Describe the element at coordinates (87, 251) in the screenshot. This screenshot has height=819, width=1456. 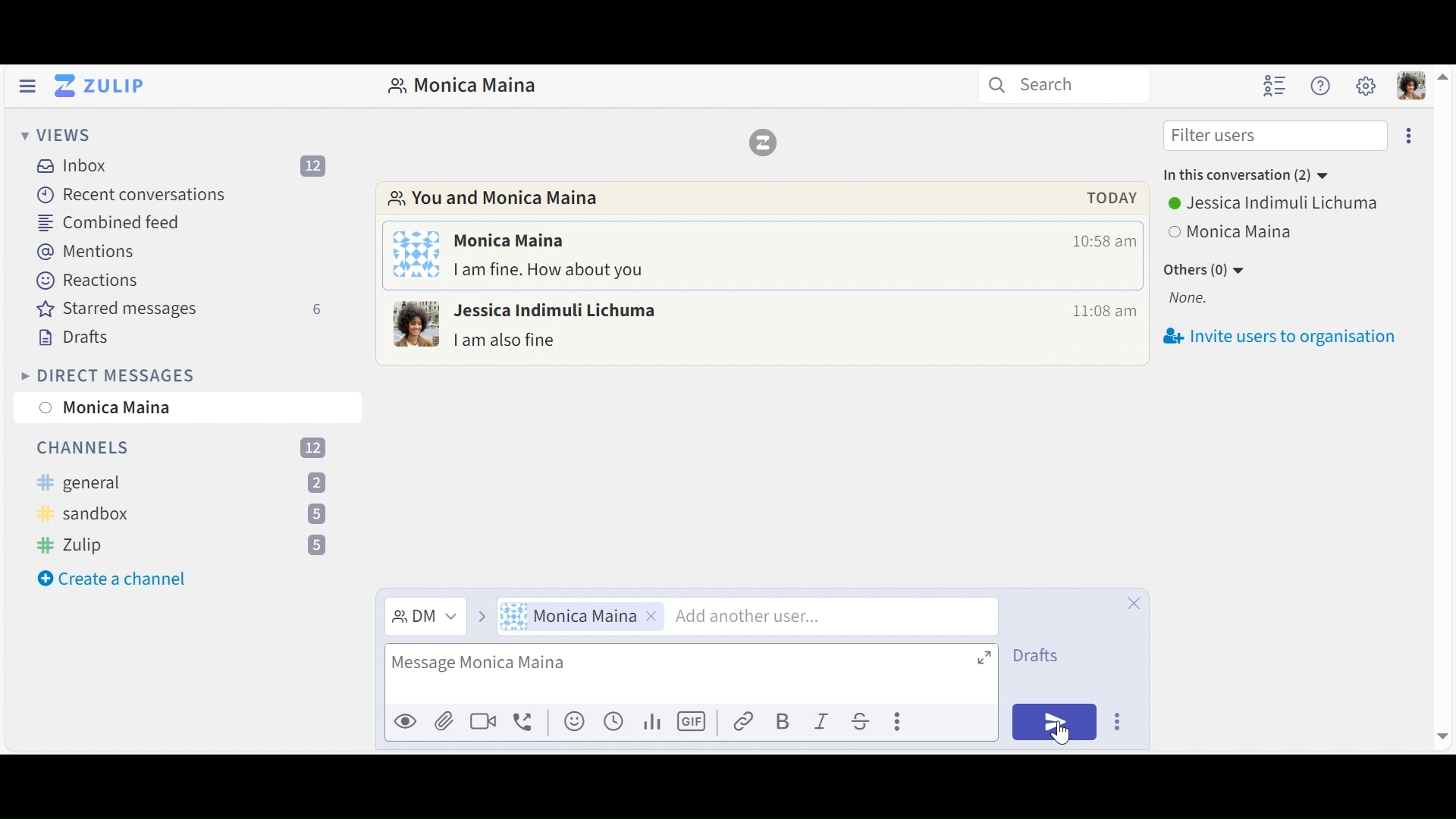
I see `Mentions` at that location.